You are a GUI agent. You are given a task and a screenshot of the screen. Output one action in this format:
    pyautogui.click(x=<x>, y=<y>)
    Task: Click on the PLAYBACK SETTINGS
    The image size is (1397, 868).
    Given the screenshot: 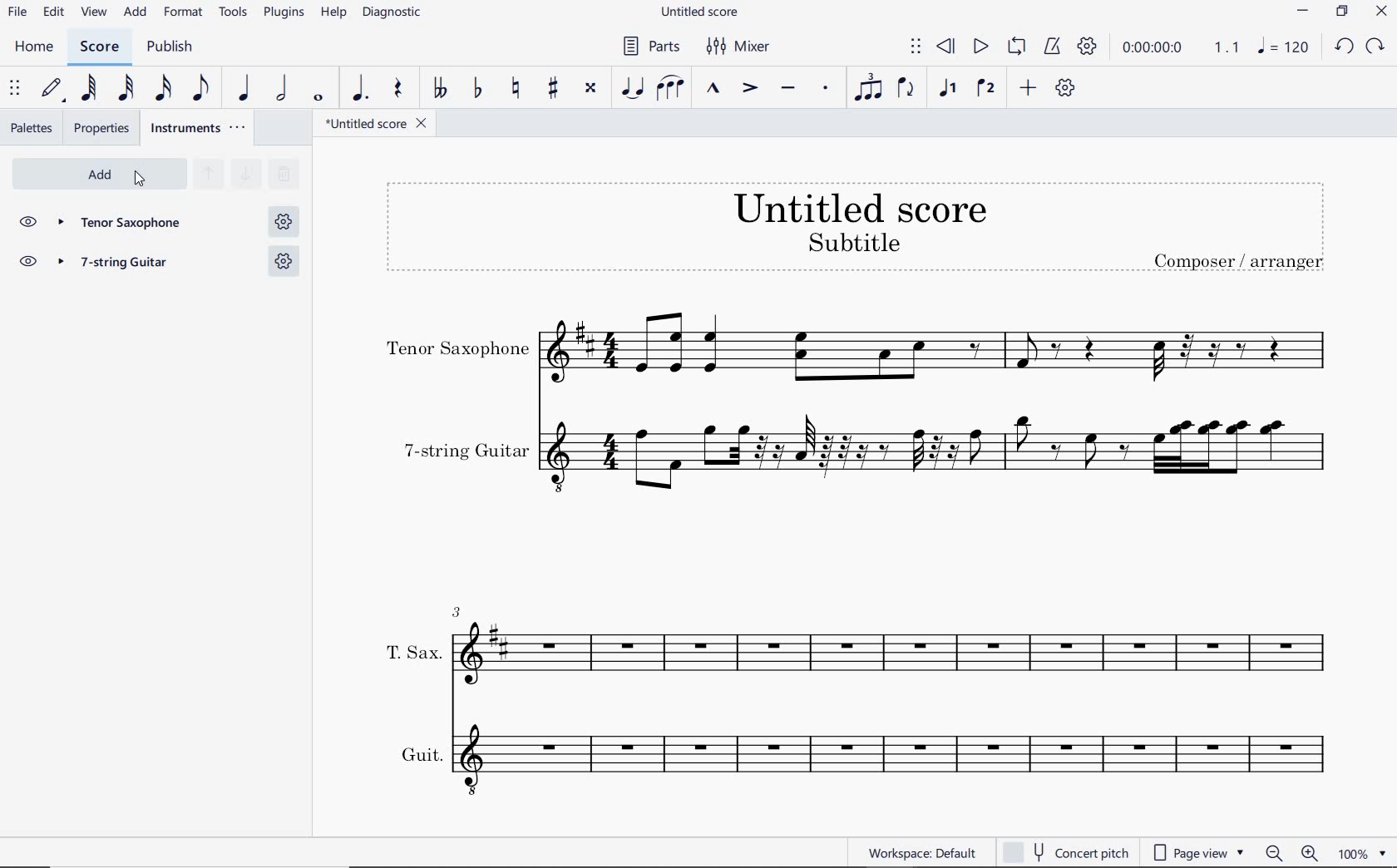 What is the action you would take?
    pyautogui.click(x=1085, y=47)
    